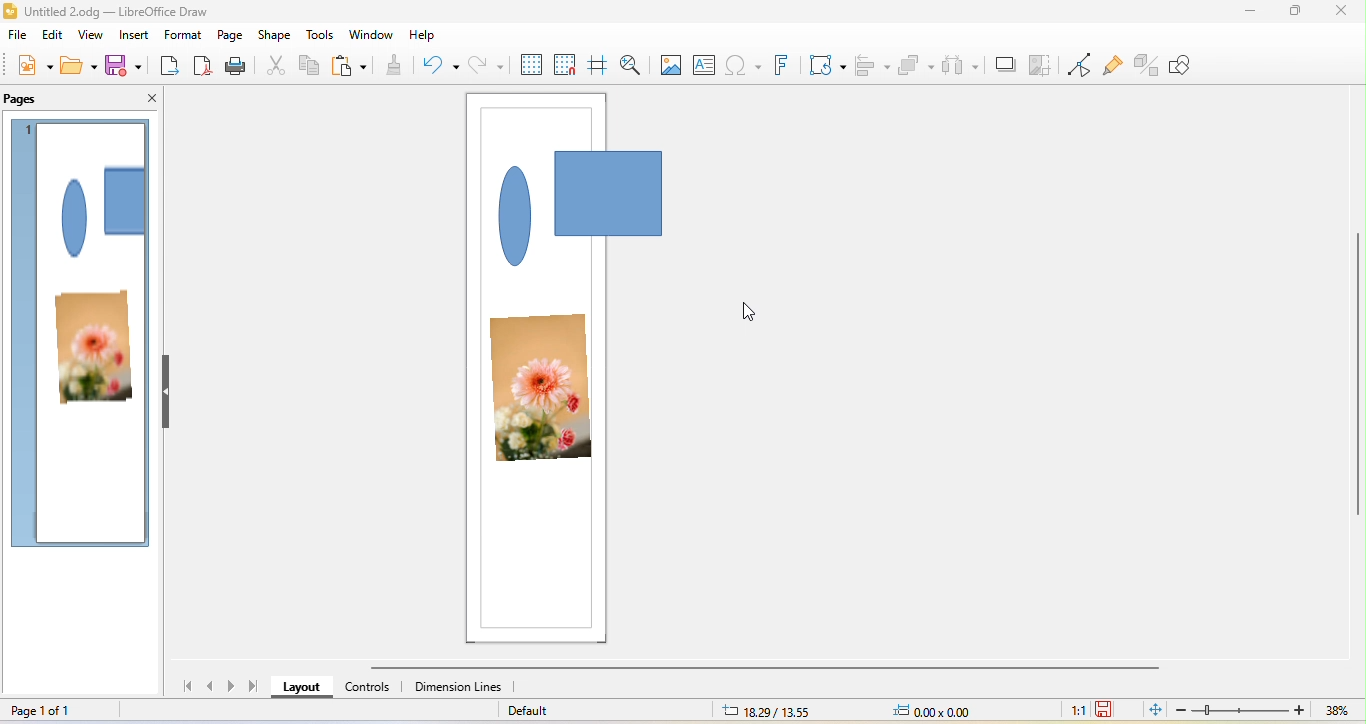  I want to click on page 1, so click(28, 130).